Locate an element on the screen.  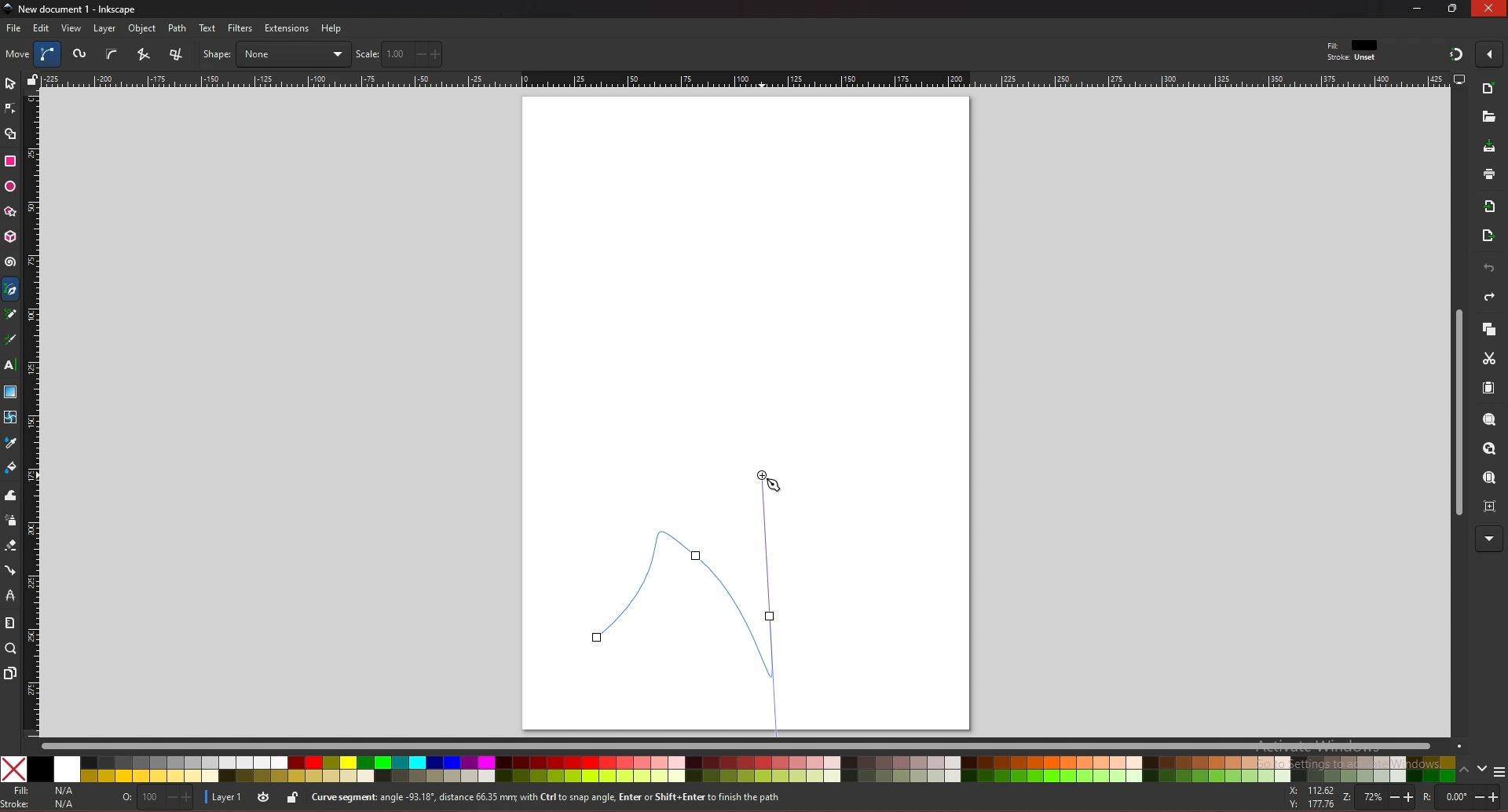
vertical rule is located at coordinates (31, 415).